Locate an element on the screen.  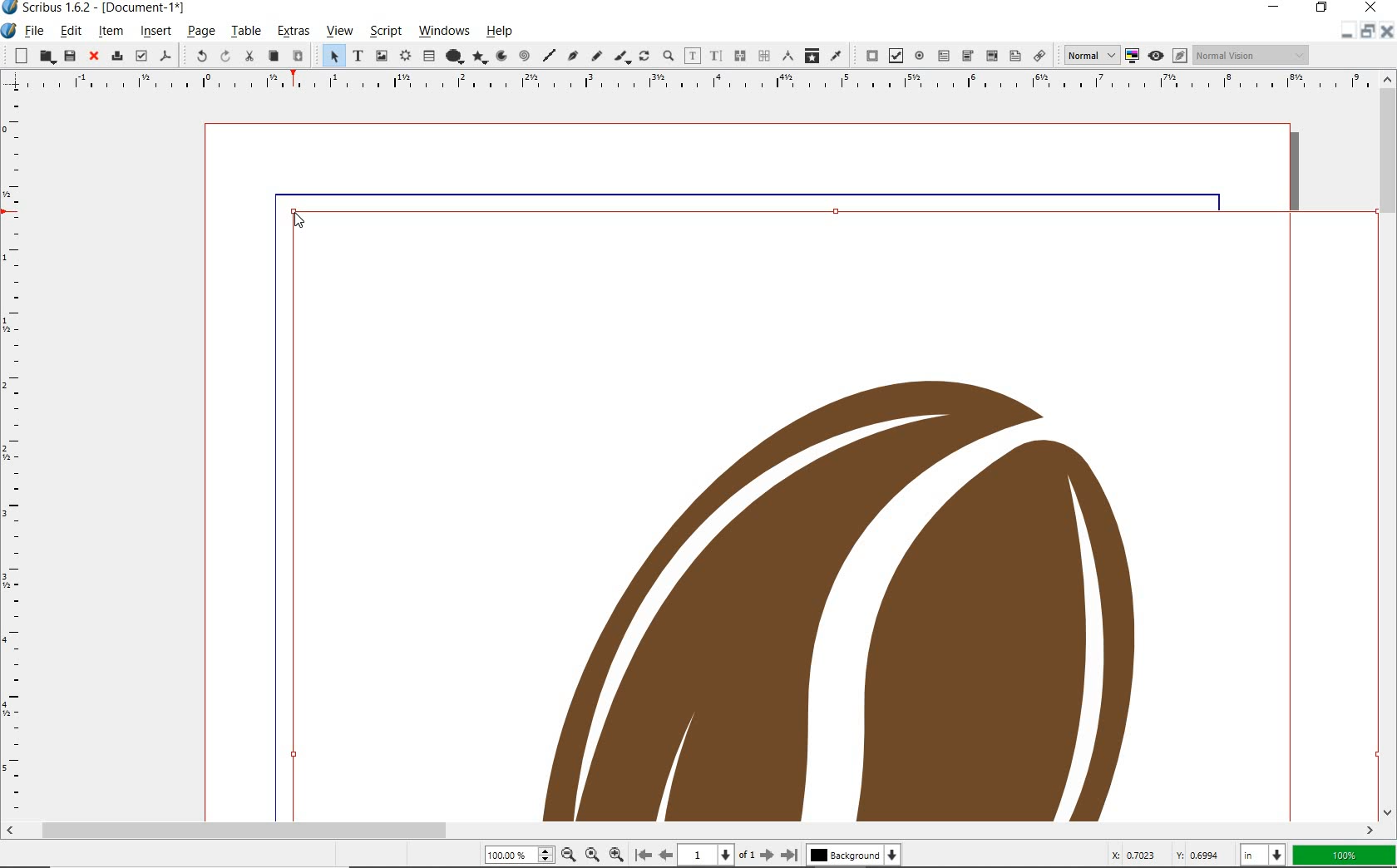
1 of 1 is located at coordinates (717, 856).